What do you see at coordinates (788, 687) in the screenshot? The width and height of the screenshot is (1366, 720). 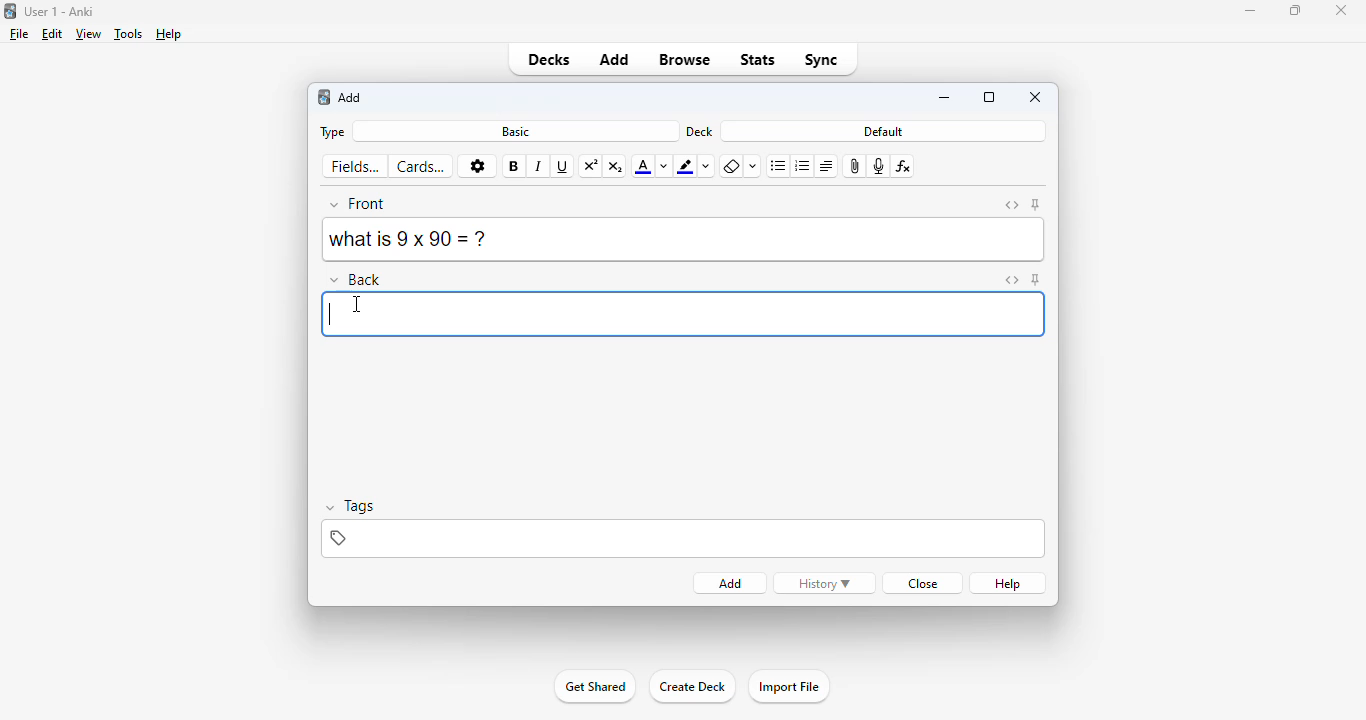 I see `import file` at bounding box center [788, 687].